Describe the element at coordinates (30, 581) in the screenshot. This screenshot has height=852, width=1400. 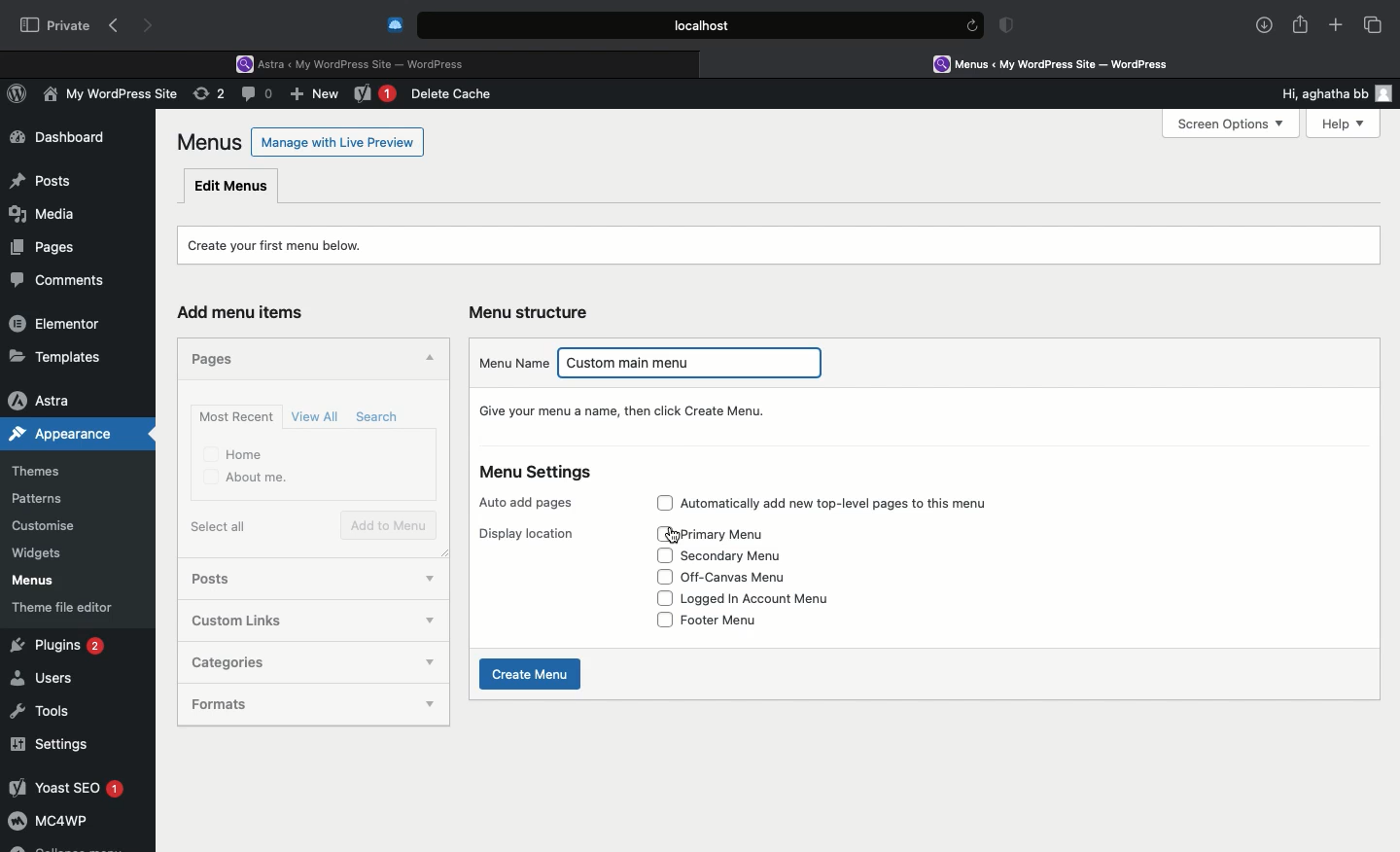
I see `Menus` at that location.